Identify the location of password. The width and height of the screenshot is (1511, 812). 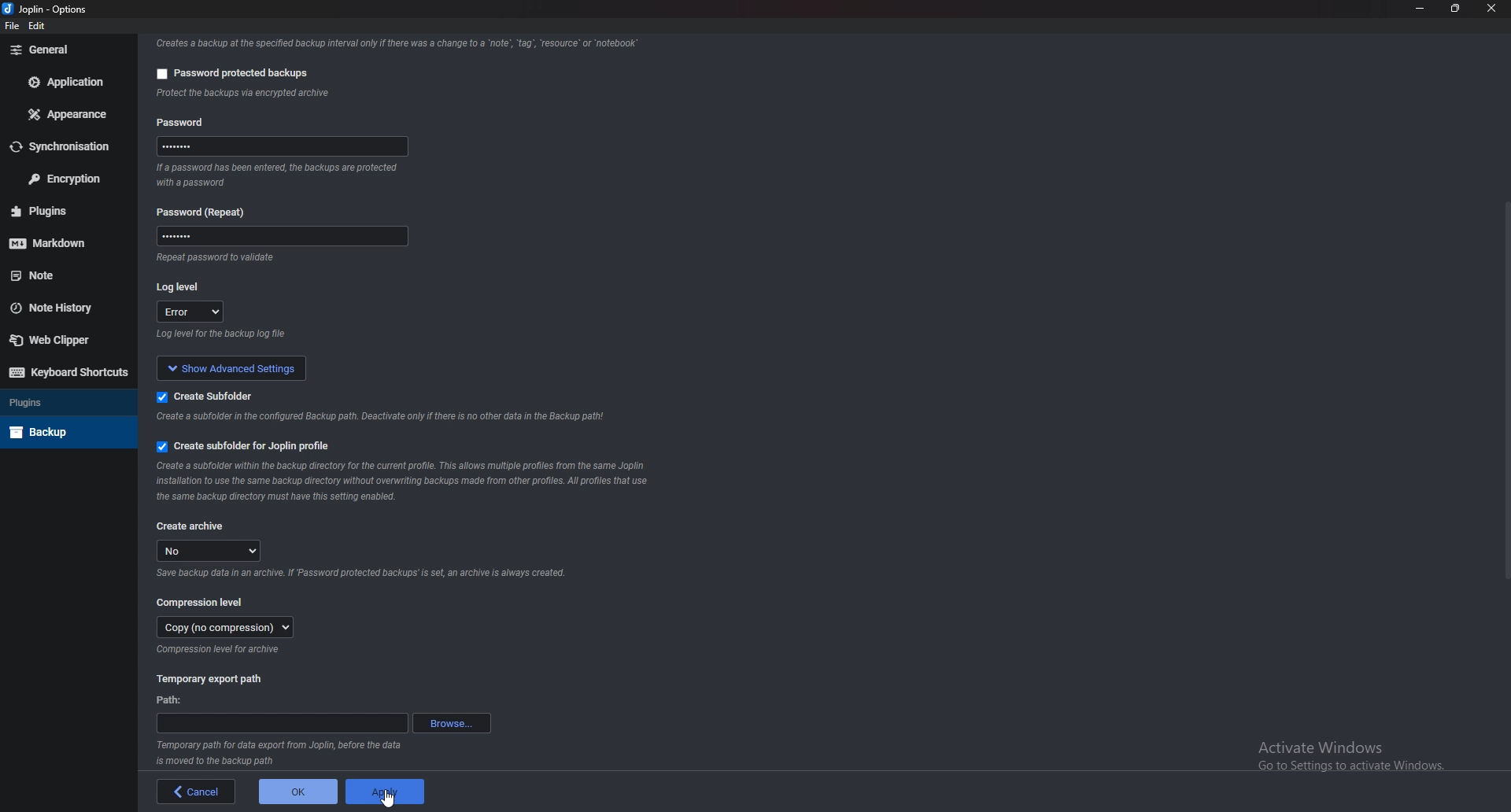
(184, 120).